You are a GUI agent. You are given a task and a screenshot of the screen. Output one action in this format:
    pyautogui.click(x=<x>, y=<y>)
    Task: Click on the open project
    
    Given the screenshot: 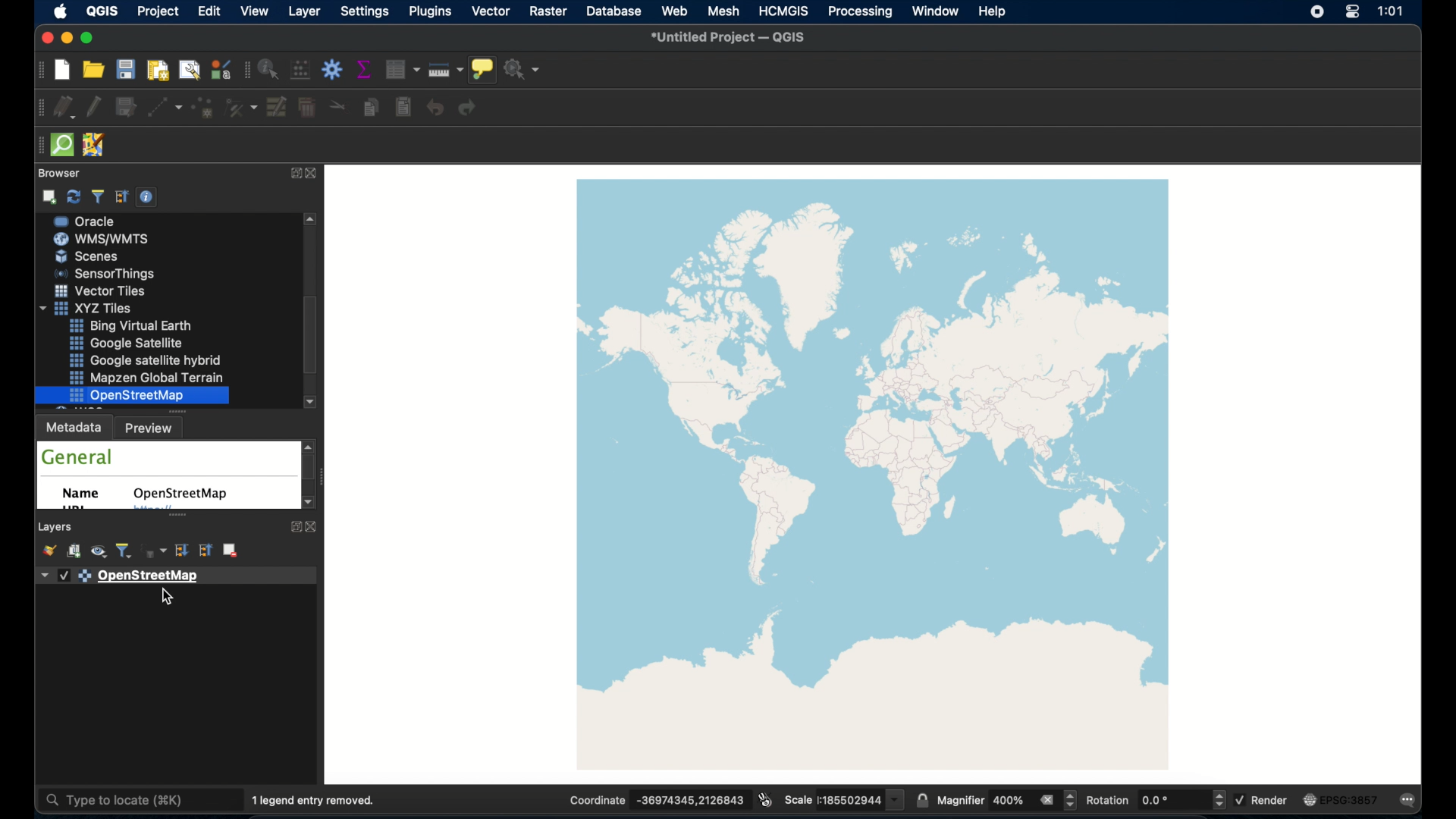 What is the action you would take?
    pyautogui.click(x=93, y=71)
    